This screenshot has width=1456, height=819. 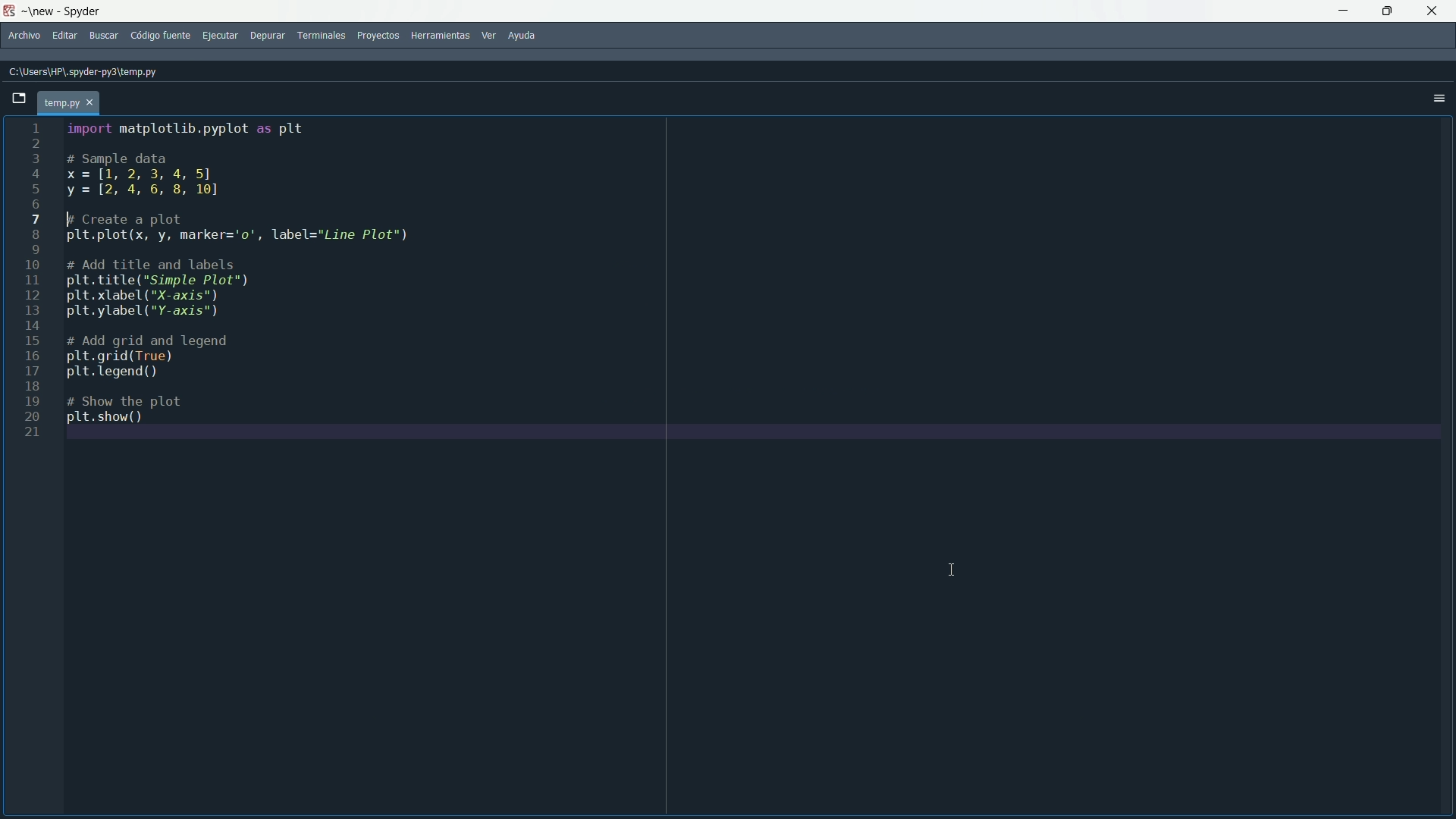 I want to click on C:\Users\HP\.spyder-py3\temp.py, so click(x=80, y=72).